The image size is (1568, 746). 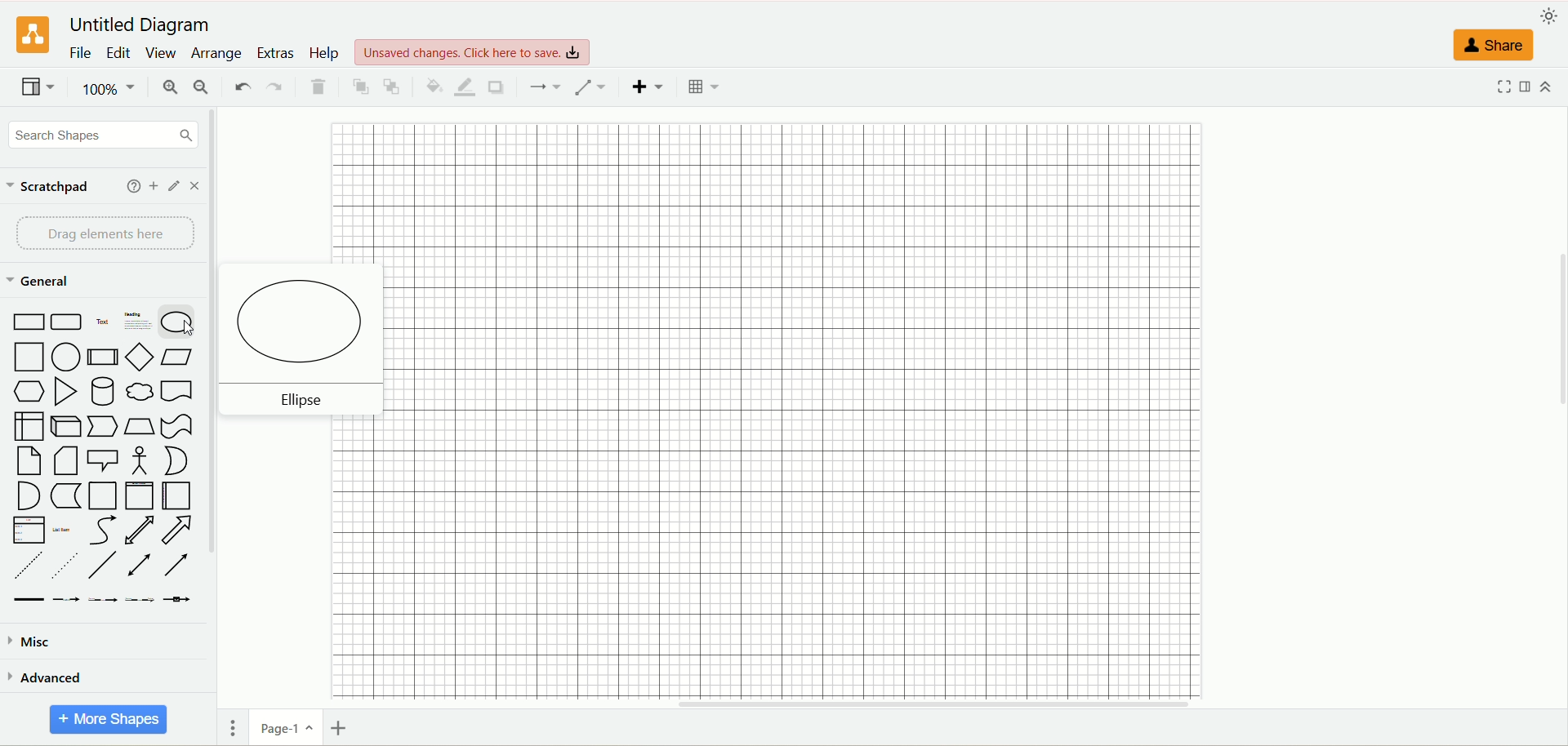 What do you see at coordinates (65, 495) in the screenshot?
I see `data storage` at bounding box center [65, 495].